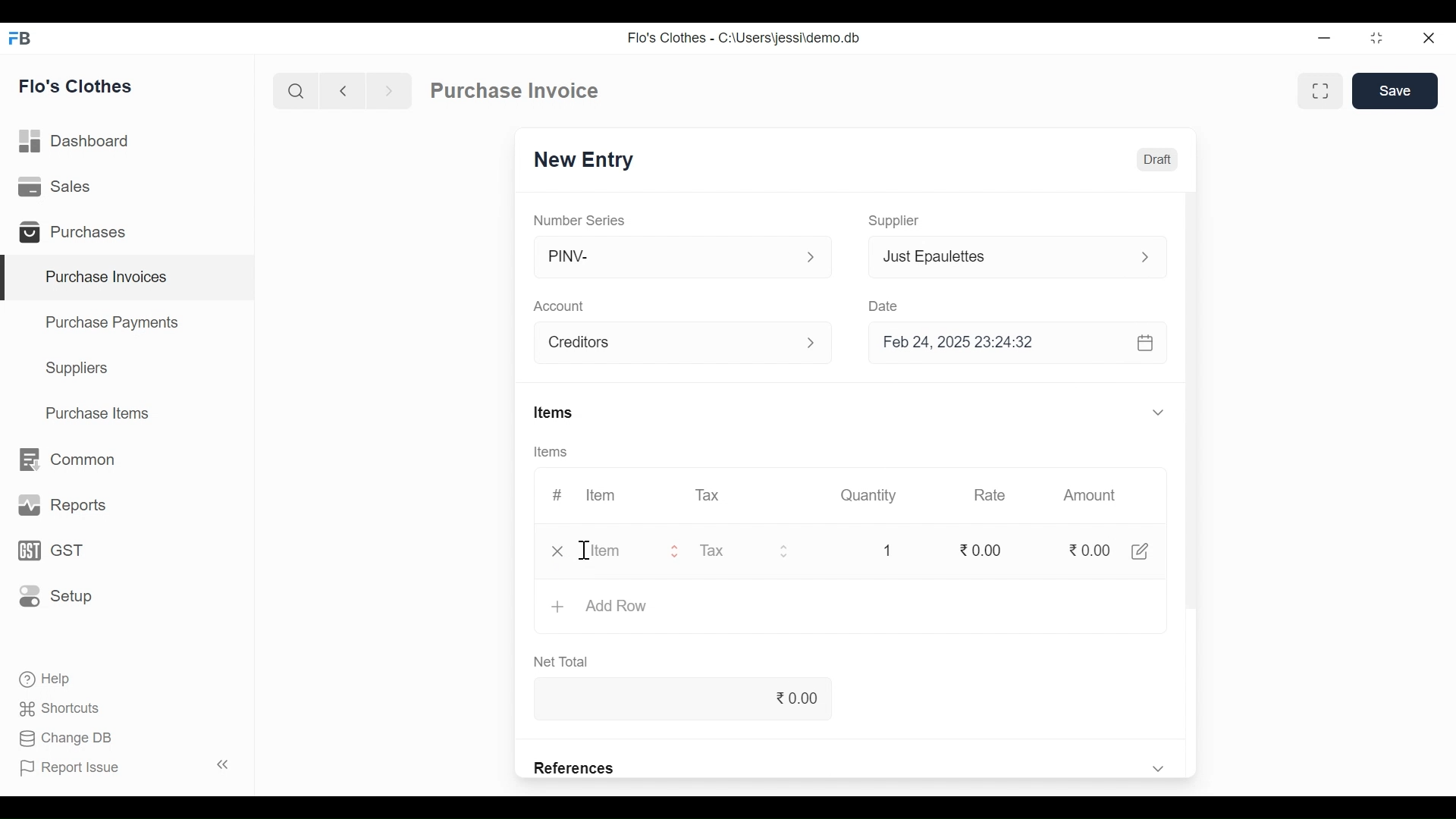 The image size is (1456, 819). What do you see at coordinates (50, 679) in the screenshot?
I see `Help` at bounding box center [50, 679].